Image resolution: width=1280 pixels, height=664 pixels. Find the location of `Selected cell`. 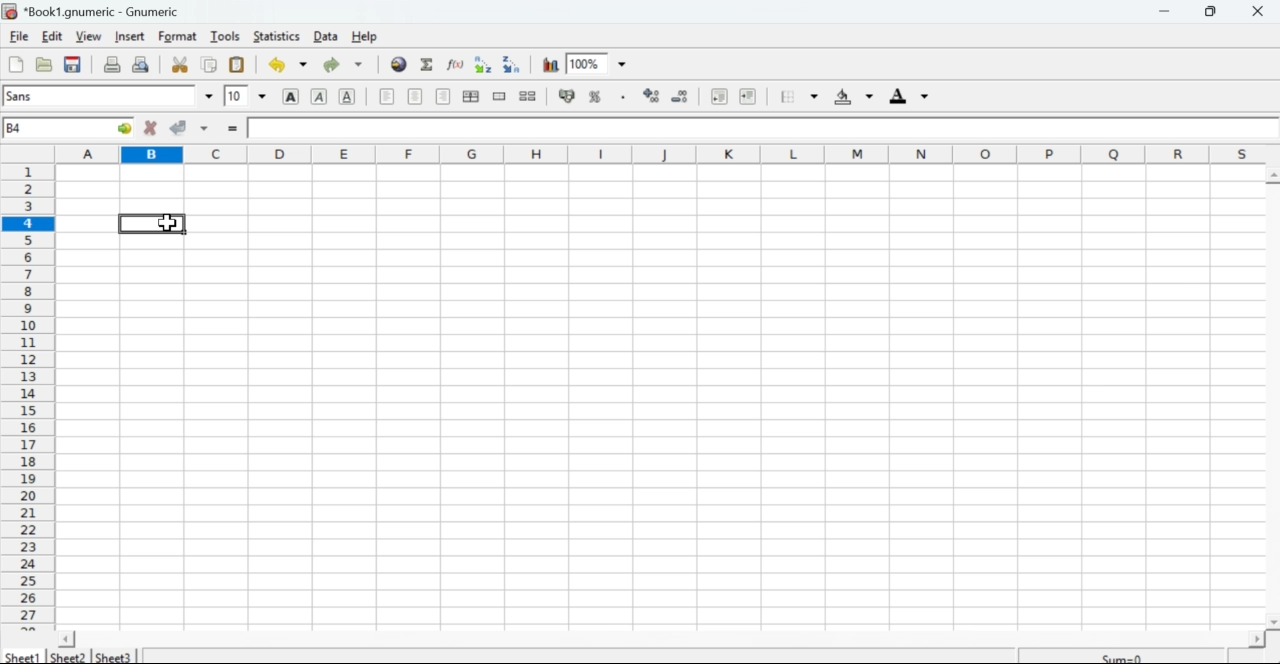

Selected cell is located at coordinates (154, 221).